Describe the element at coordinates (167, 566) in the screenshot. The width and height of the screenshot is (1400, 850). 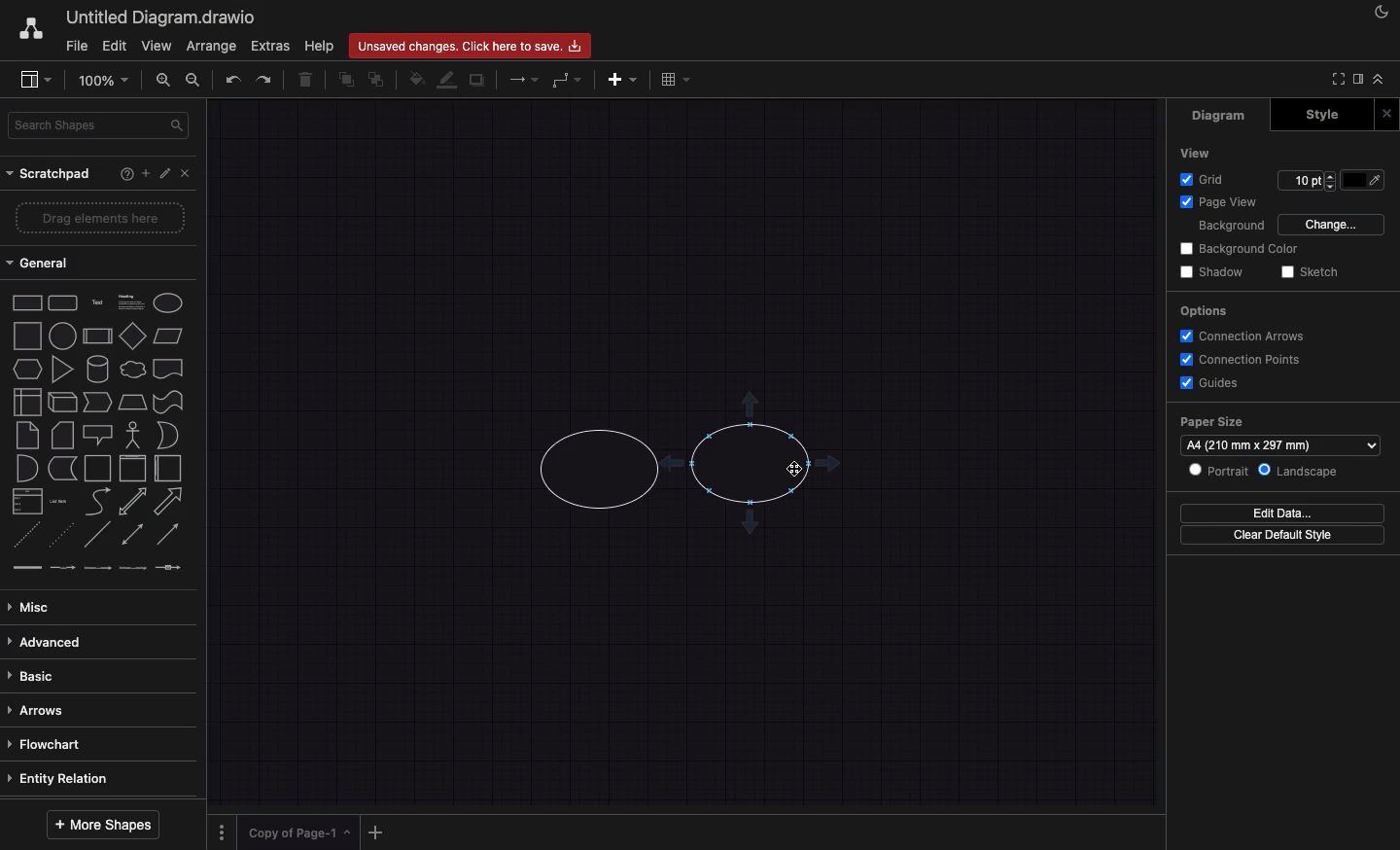
I see `connector with symbol ` at that location.